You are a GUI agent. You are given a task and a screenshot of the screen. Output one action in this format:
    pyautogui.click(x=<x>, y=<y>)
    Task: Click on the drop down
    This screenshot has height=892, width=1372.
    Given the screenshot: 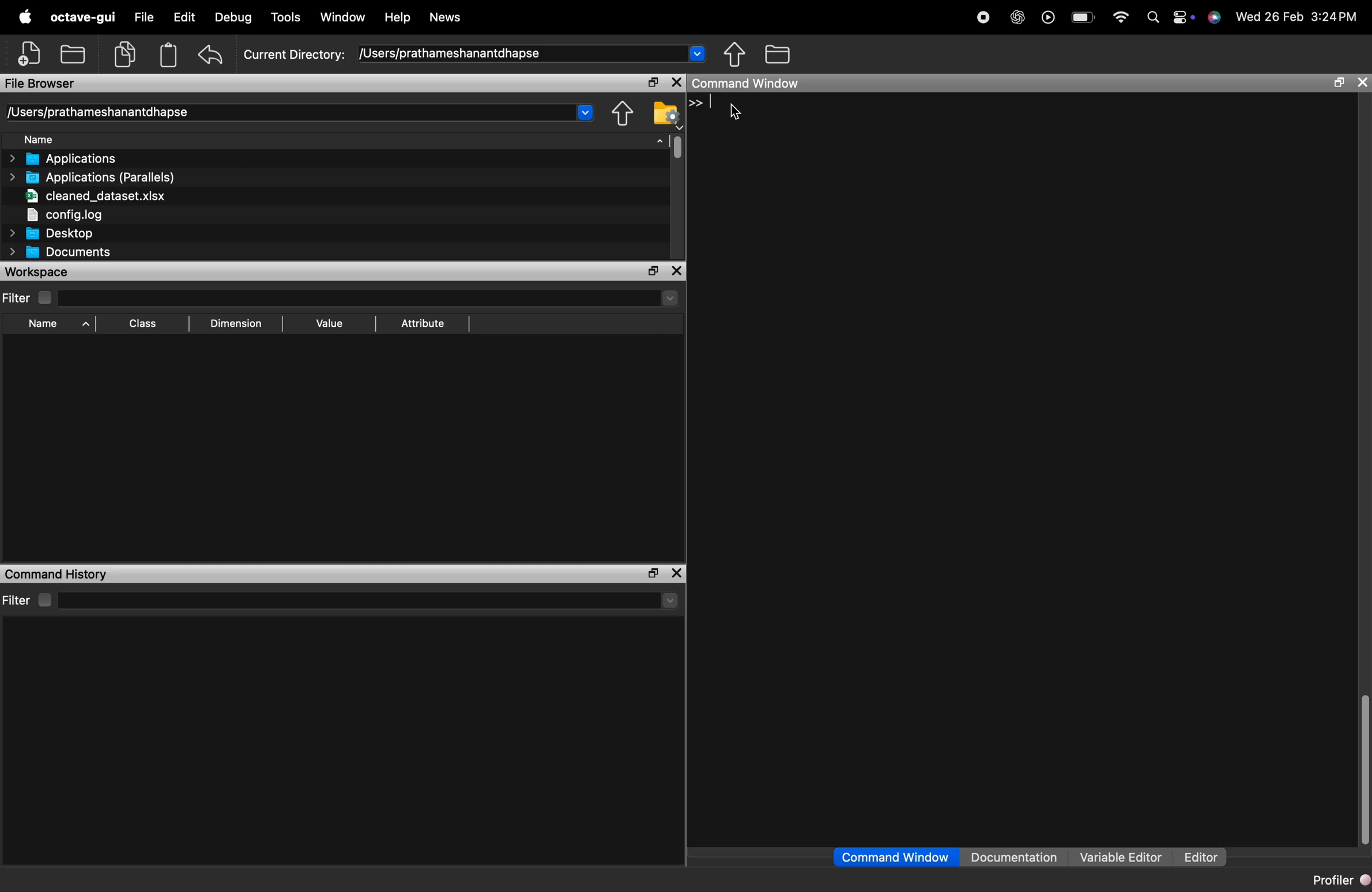 What is the action you would take?
    pyautogui.click(x=669, y=601)
    